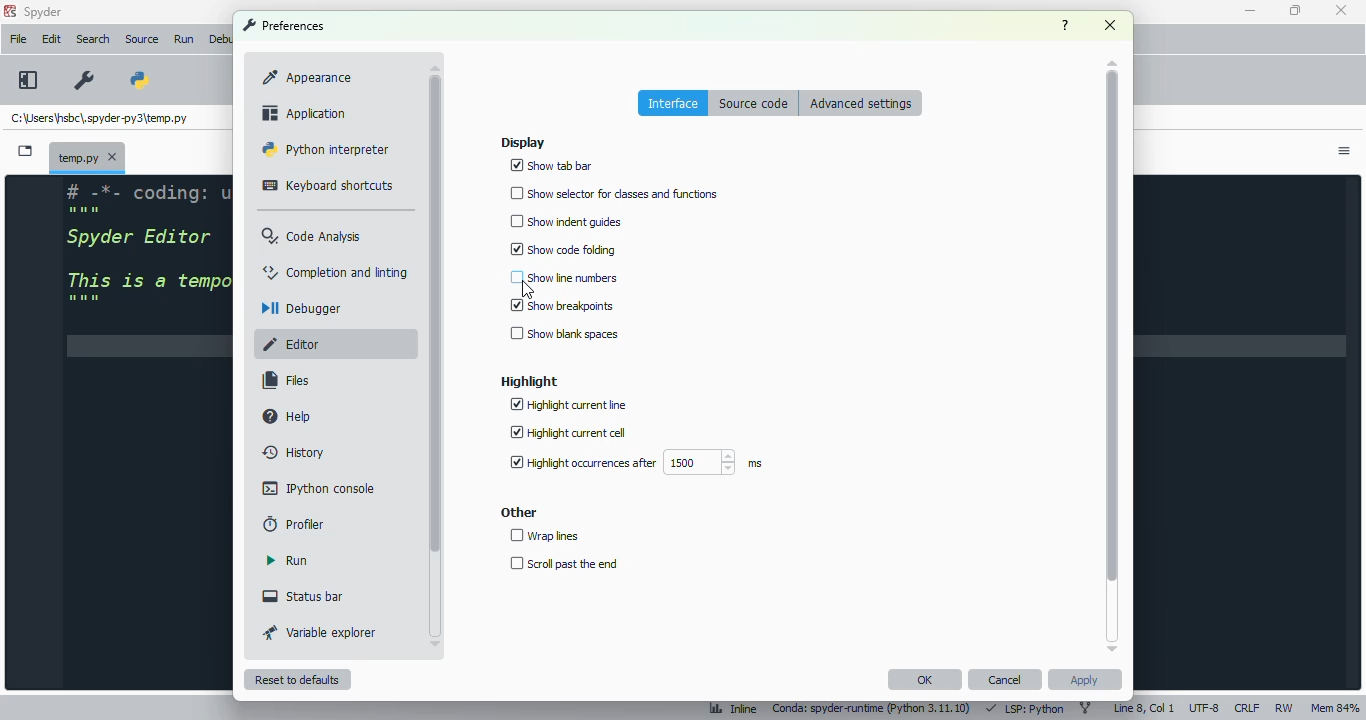 Image resolution: width=1366 pixels, height=720 pixels. I want to click on close, so click(1340, 11).